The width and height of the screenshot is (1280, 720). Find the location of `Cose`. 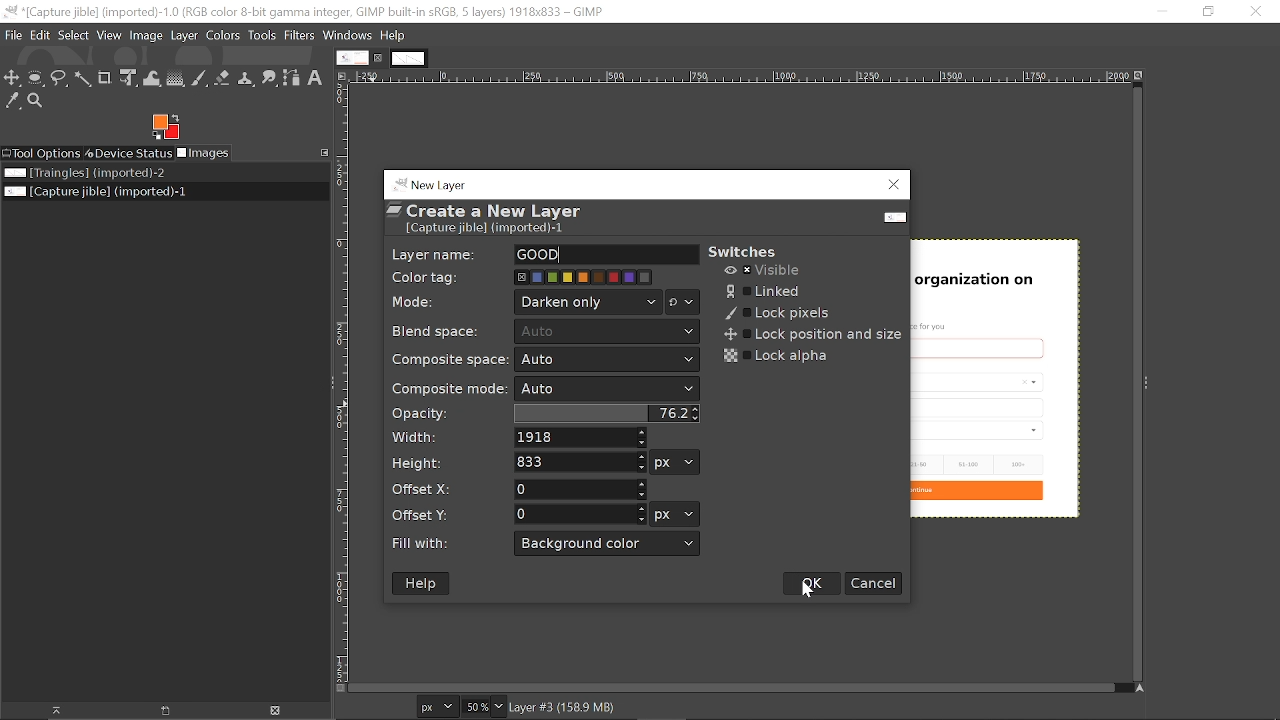

Cose is located at coordinates (1255, 11).